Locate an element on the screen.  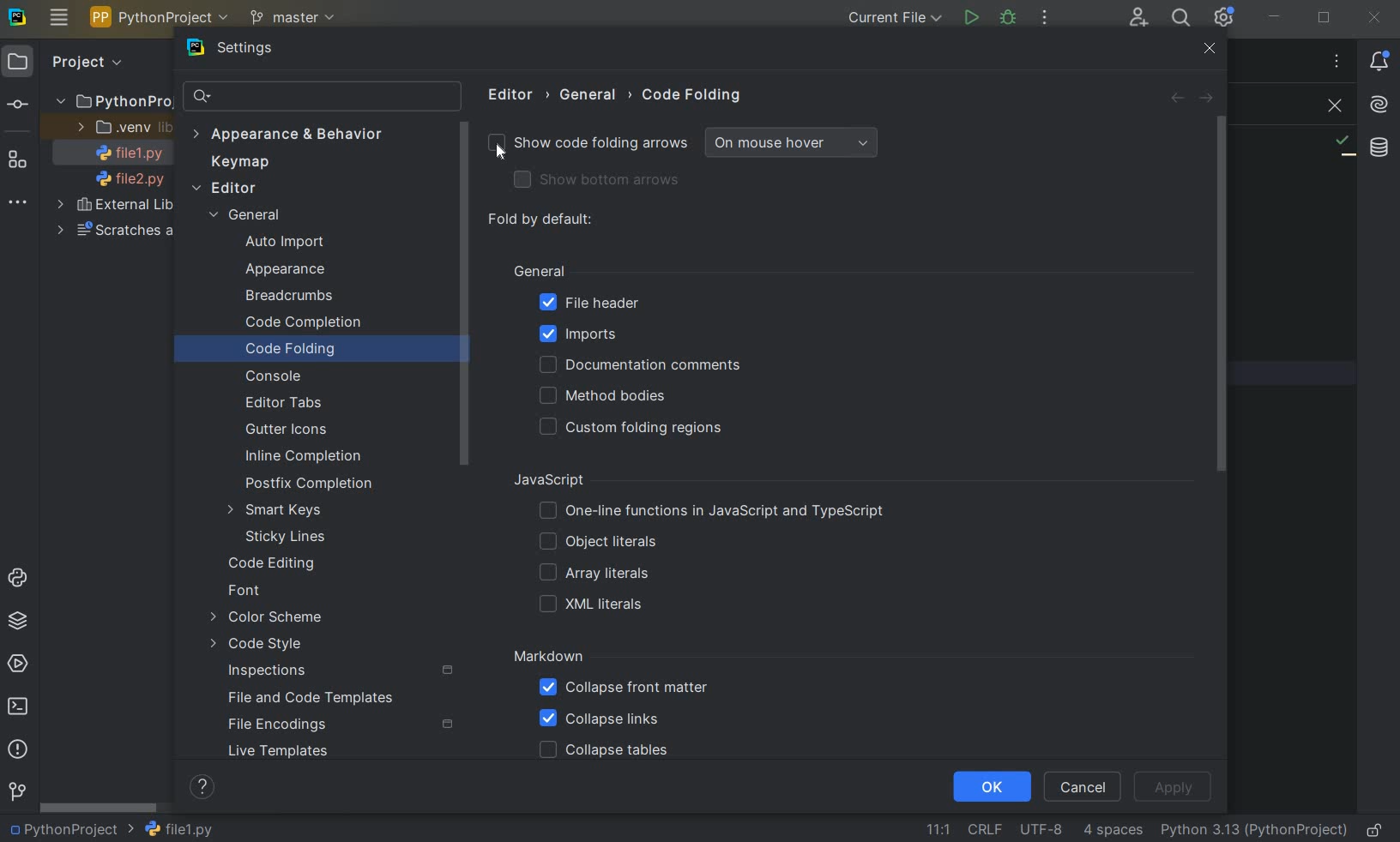
METHOD BODIES is located at coordinates (606, 396).